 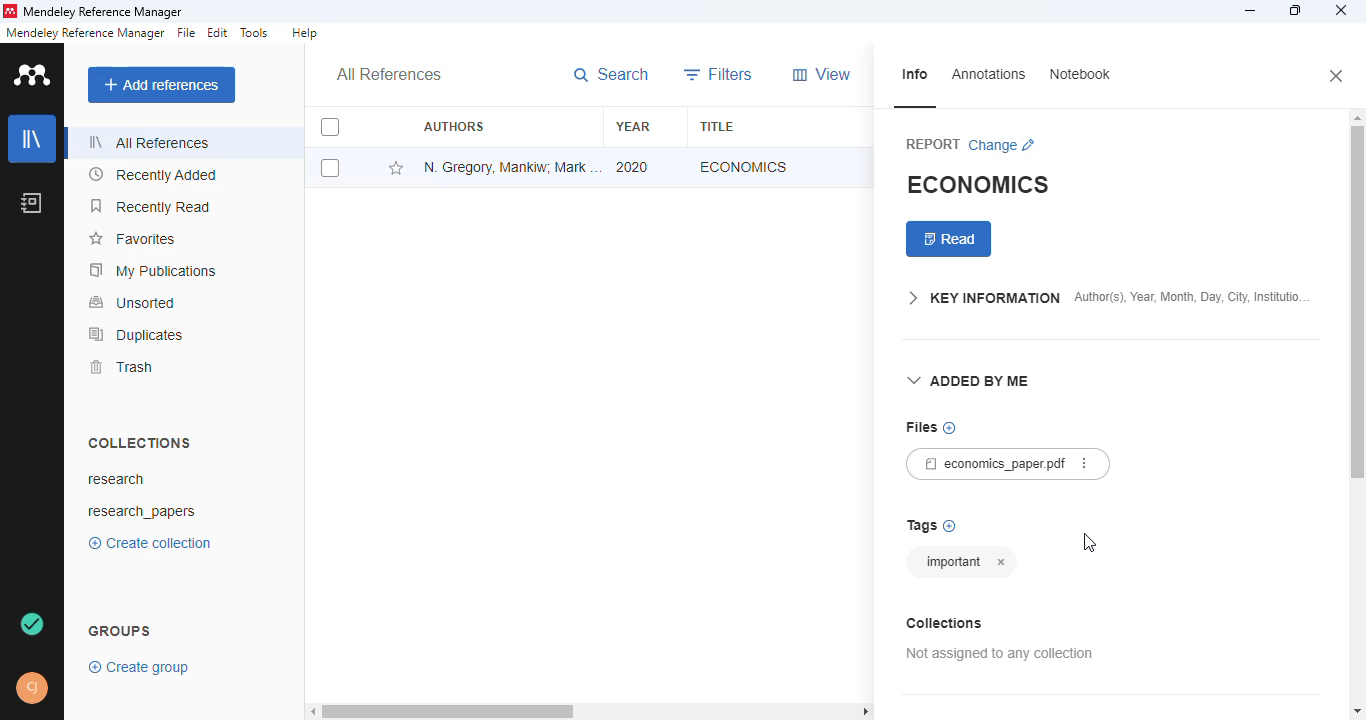 I want to click on report, so click(x=933, y=145).